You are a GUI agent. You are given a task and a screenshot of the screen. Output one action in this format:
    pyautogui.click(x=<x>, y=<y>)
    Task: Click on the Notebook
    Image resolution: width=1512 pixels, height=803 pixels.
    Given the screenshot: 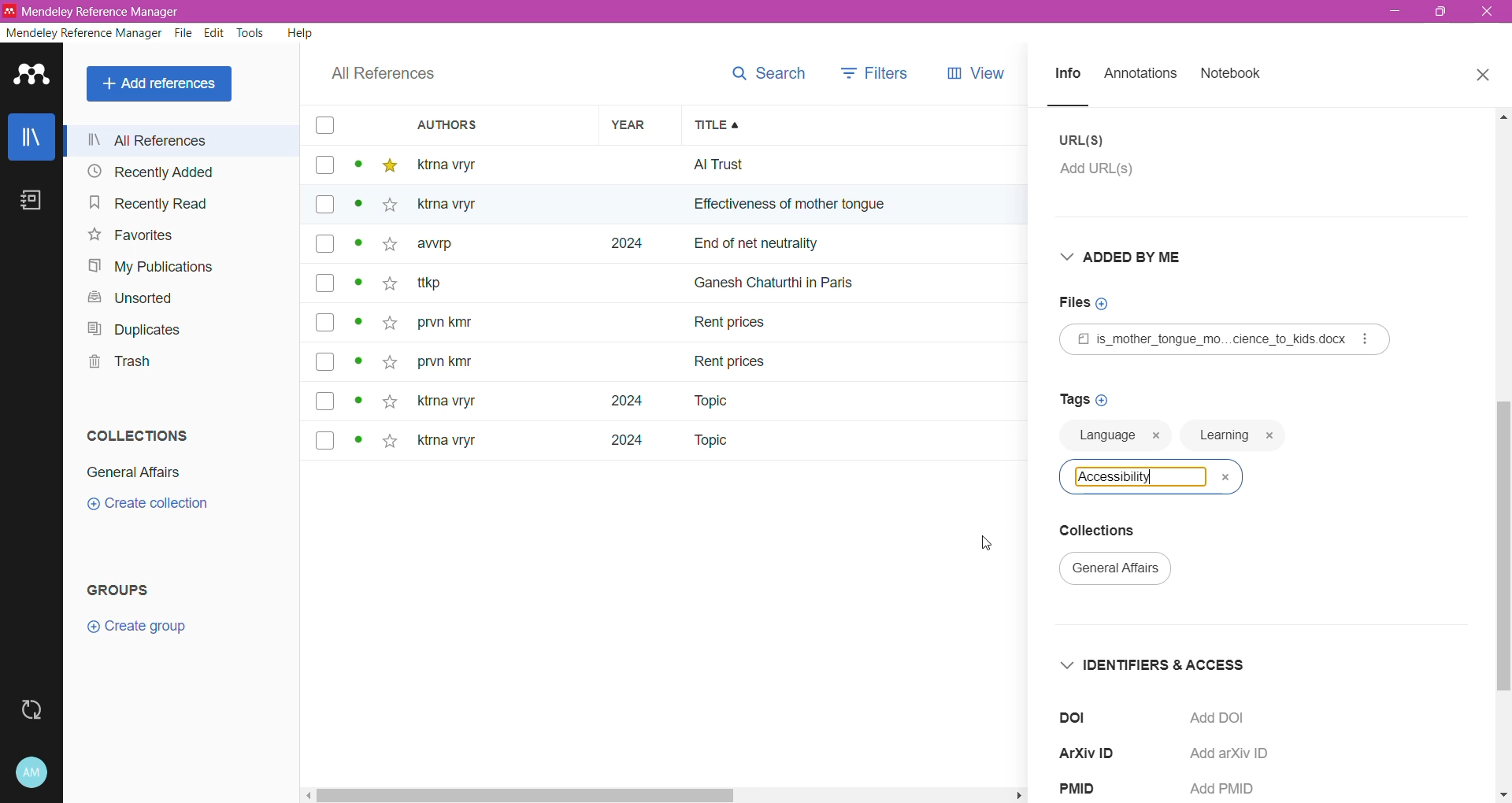 What is the action you would take?
    pyautogui.click(x=31, y=200)
    